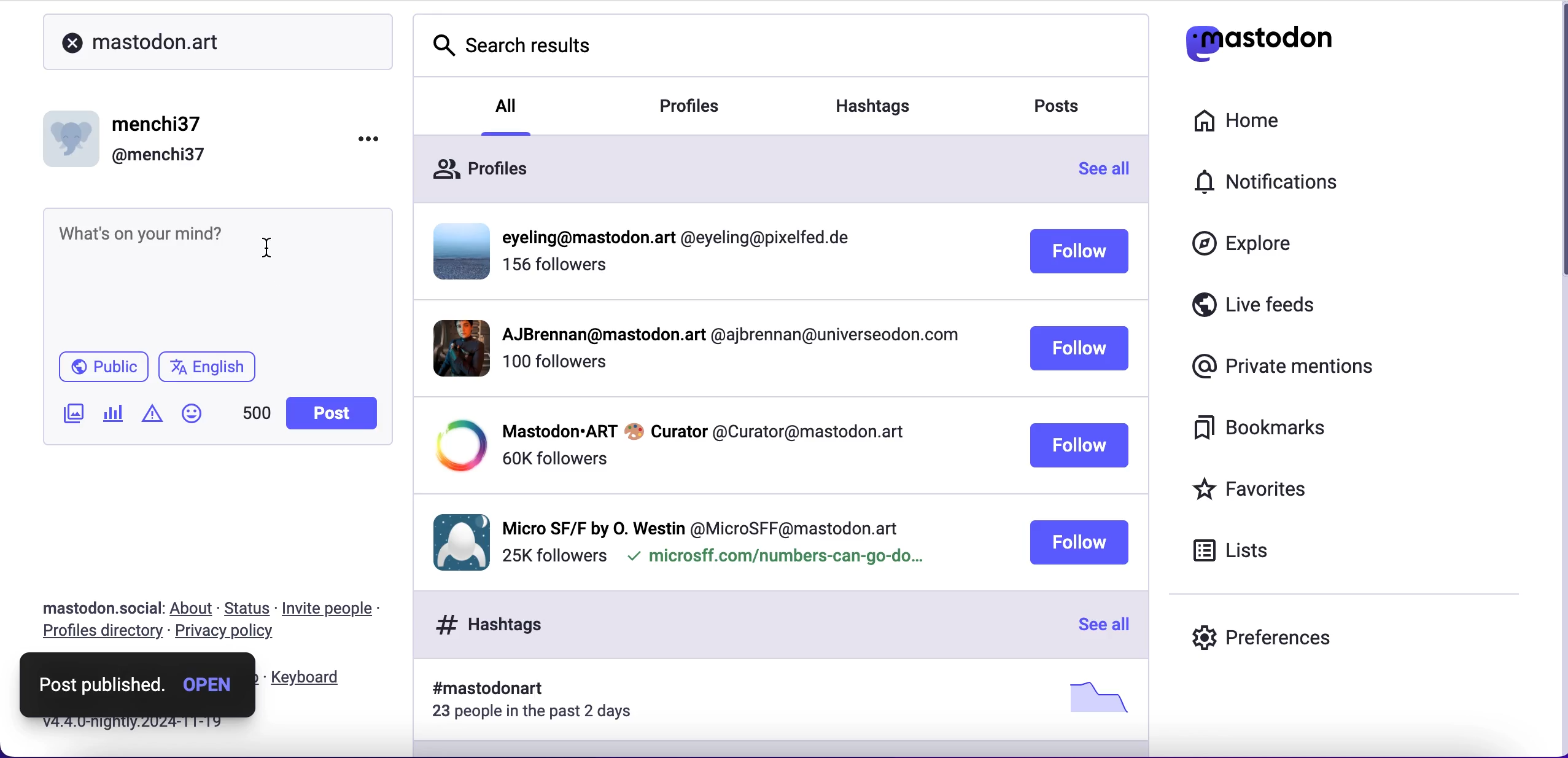  What do you see at coordinates (1297, 305) in the screenshot?
I see `live feeds` at bounding box center [1297, 305].